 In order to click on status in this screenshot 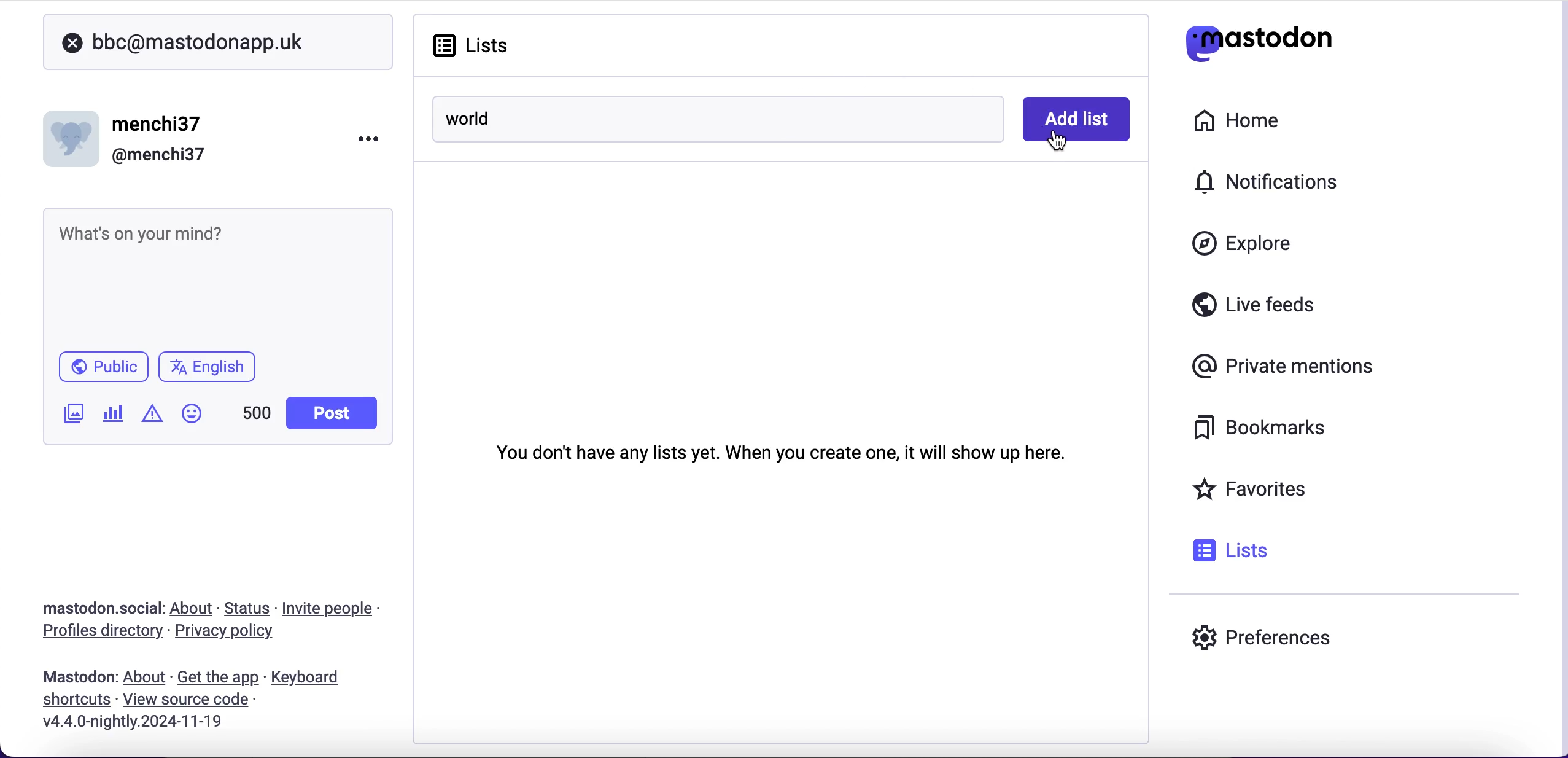, I will do `click(249, 608)`.